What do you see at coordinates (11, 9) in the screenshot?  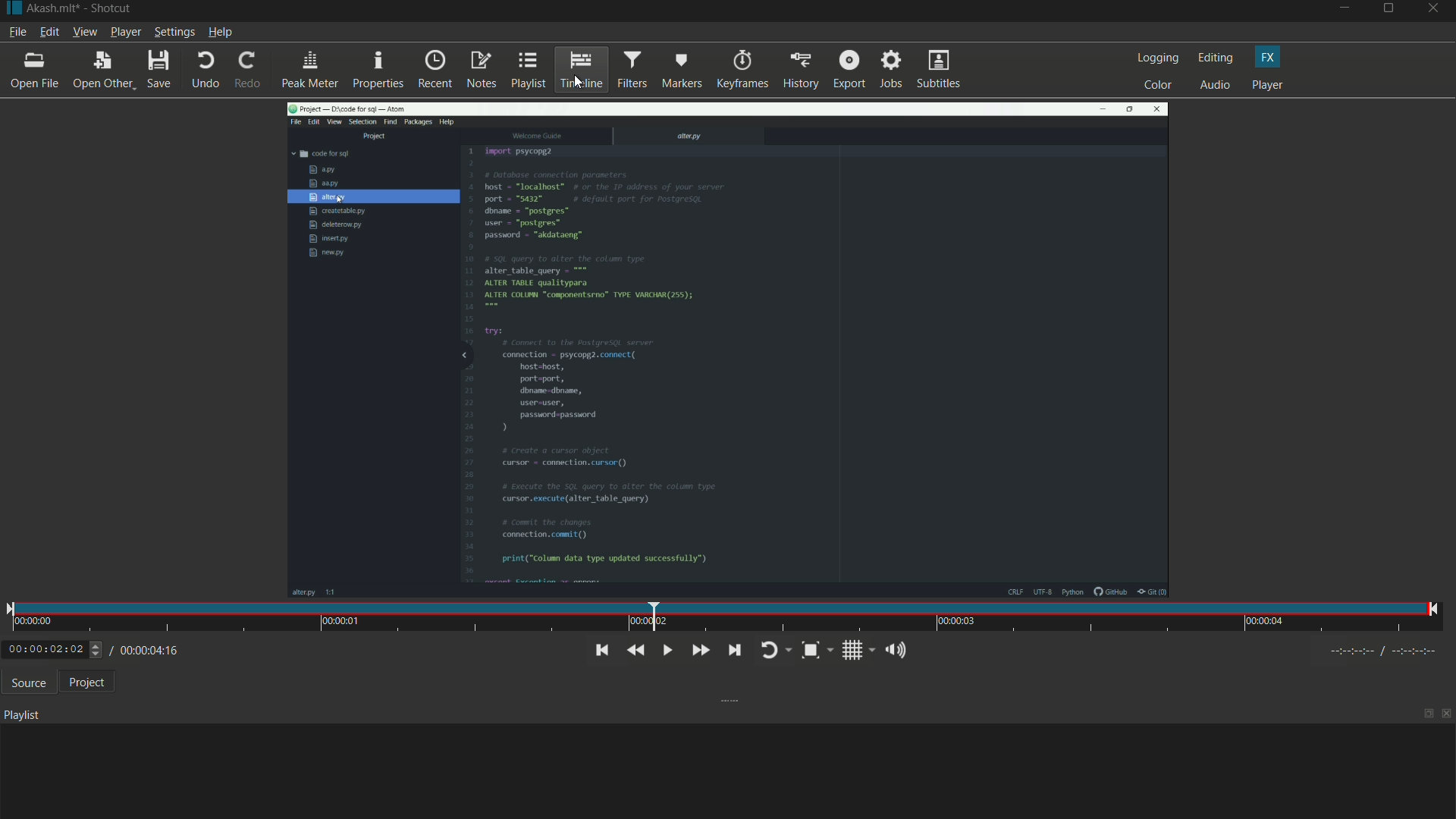 I see `app icon` at bounding box center [11, 9].